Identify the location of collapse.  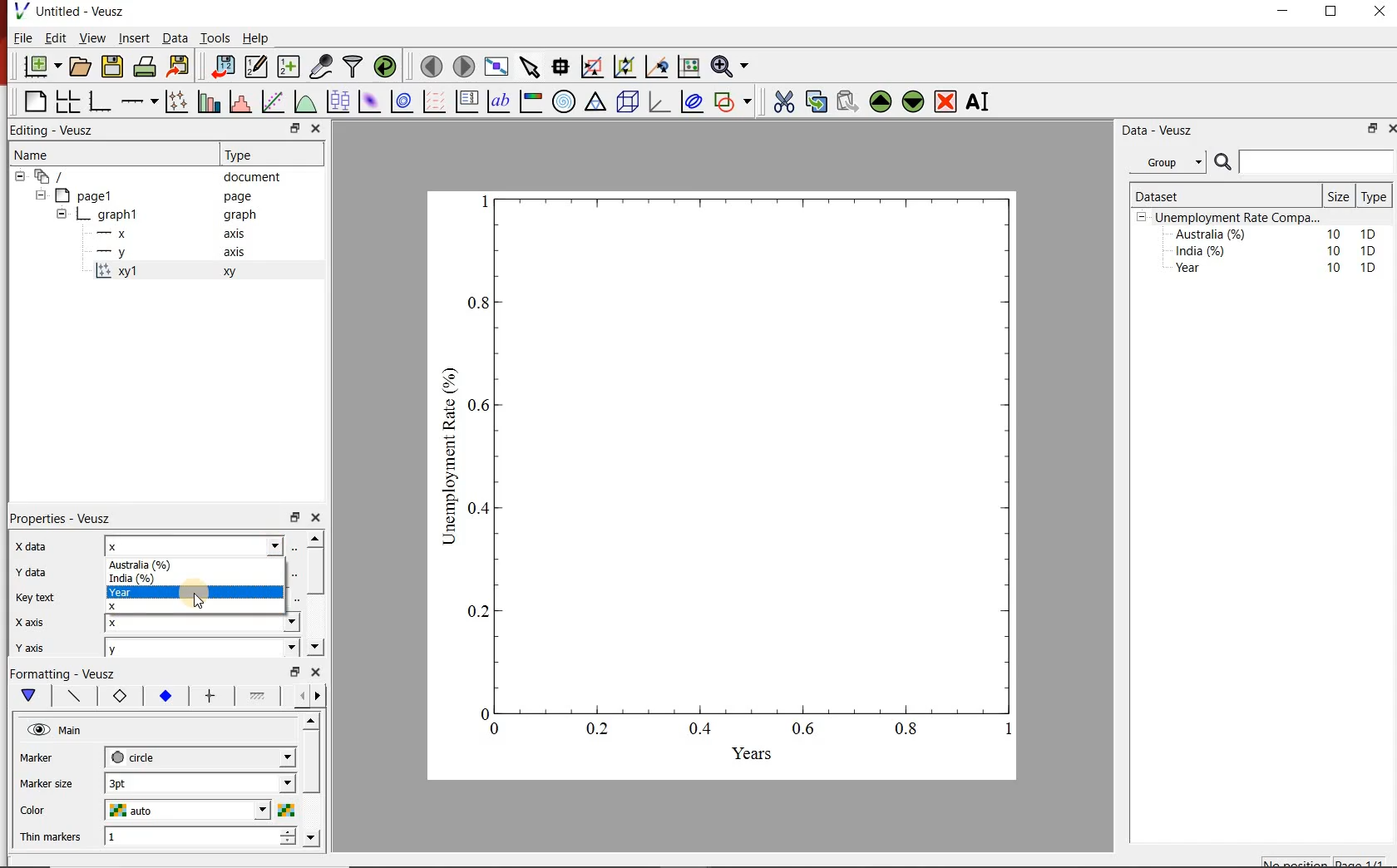
(19, 176).